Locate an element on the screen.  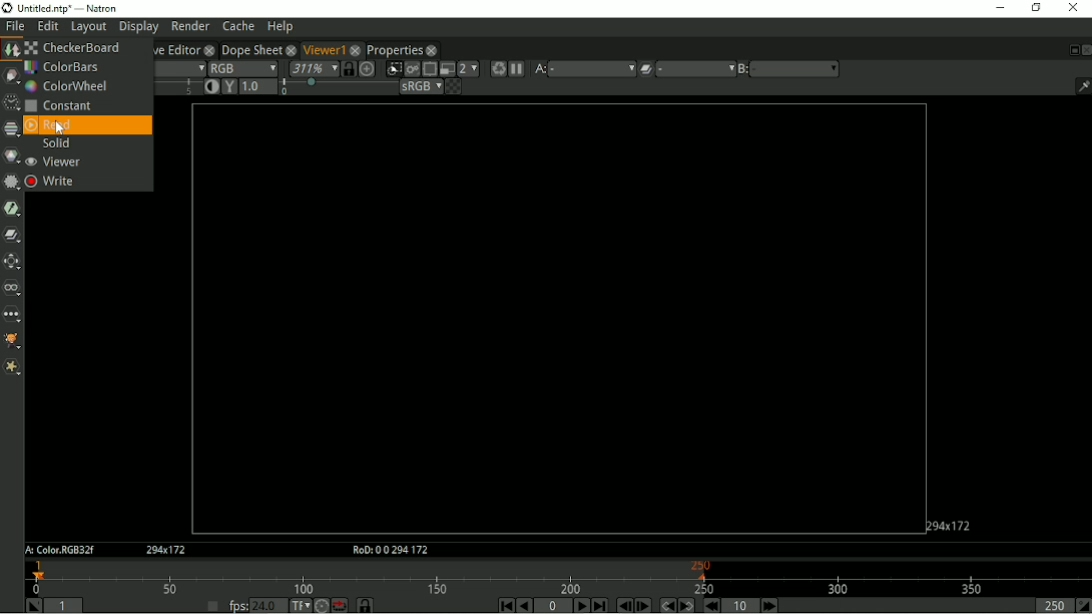
Time is located at coordinates (10, 102).